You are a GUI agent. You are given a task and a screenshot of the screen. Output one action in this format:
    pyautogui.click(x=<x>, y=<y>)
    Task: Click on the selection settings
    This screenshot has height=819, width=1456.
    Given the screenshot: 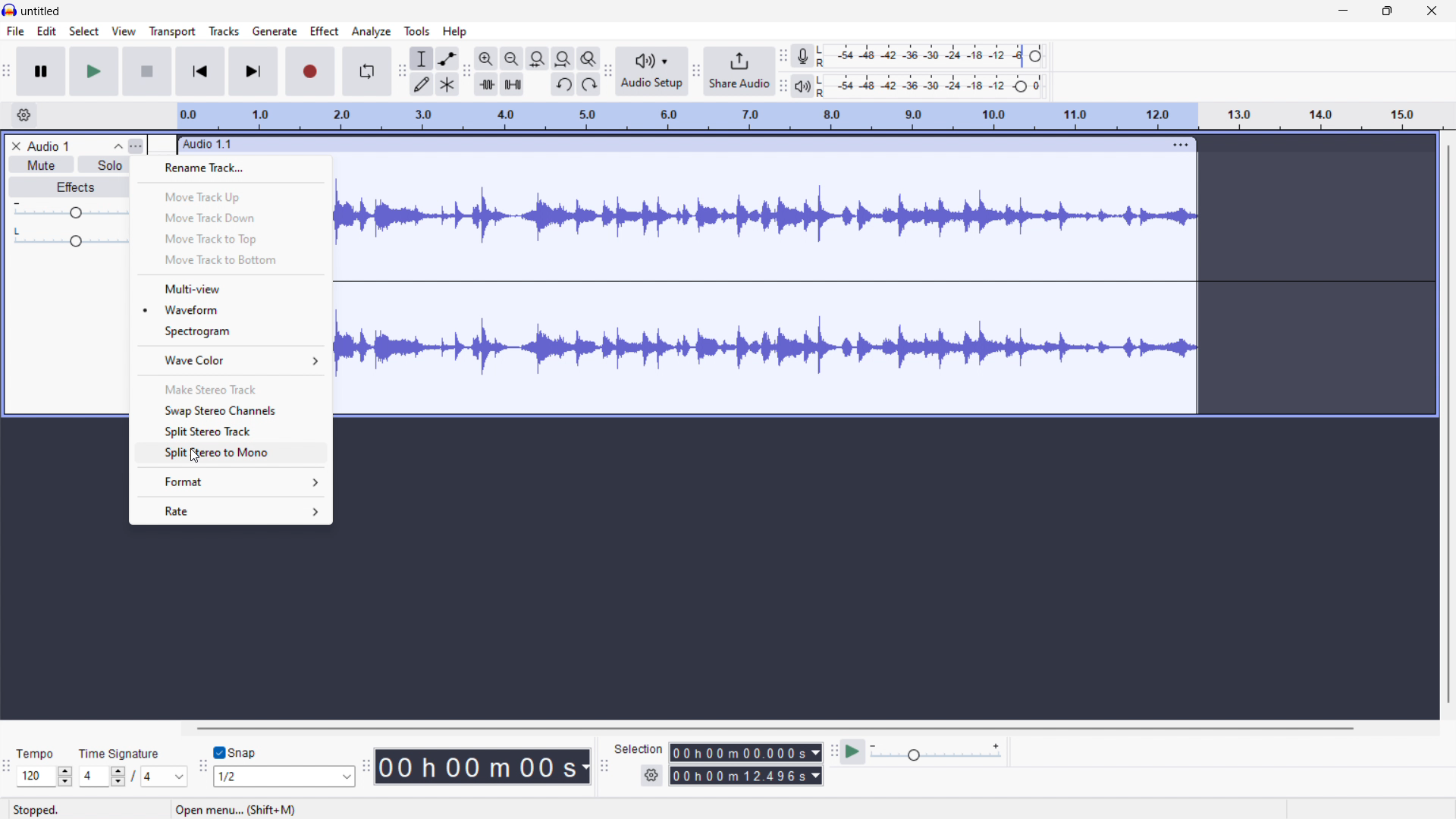 What is the action you would take?
    pyautogui.click(x=650, y=775)
    